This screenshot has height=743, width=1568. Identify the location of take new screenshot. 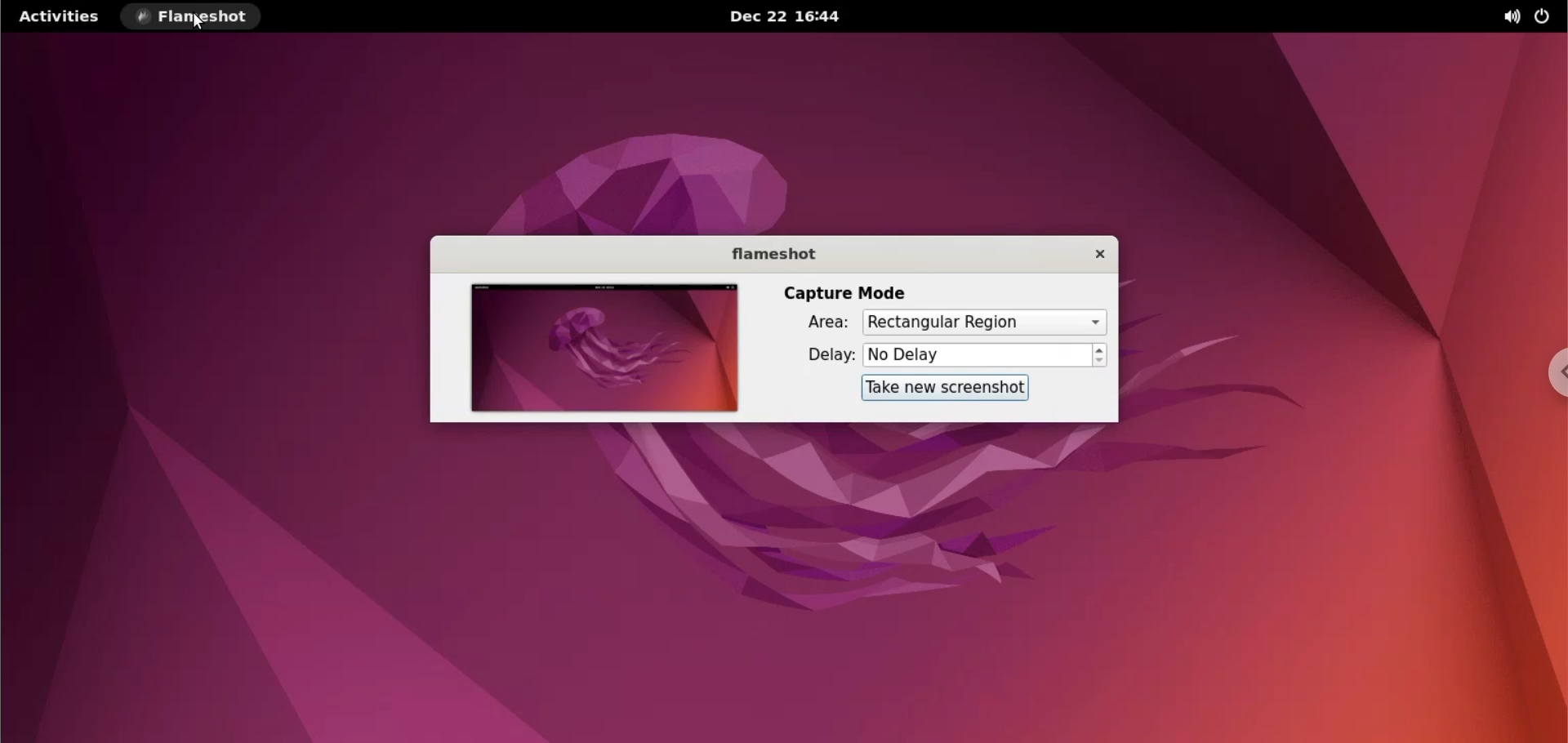
(947, 388).